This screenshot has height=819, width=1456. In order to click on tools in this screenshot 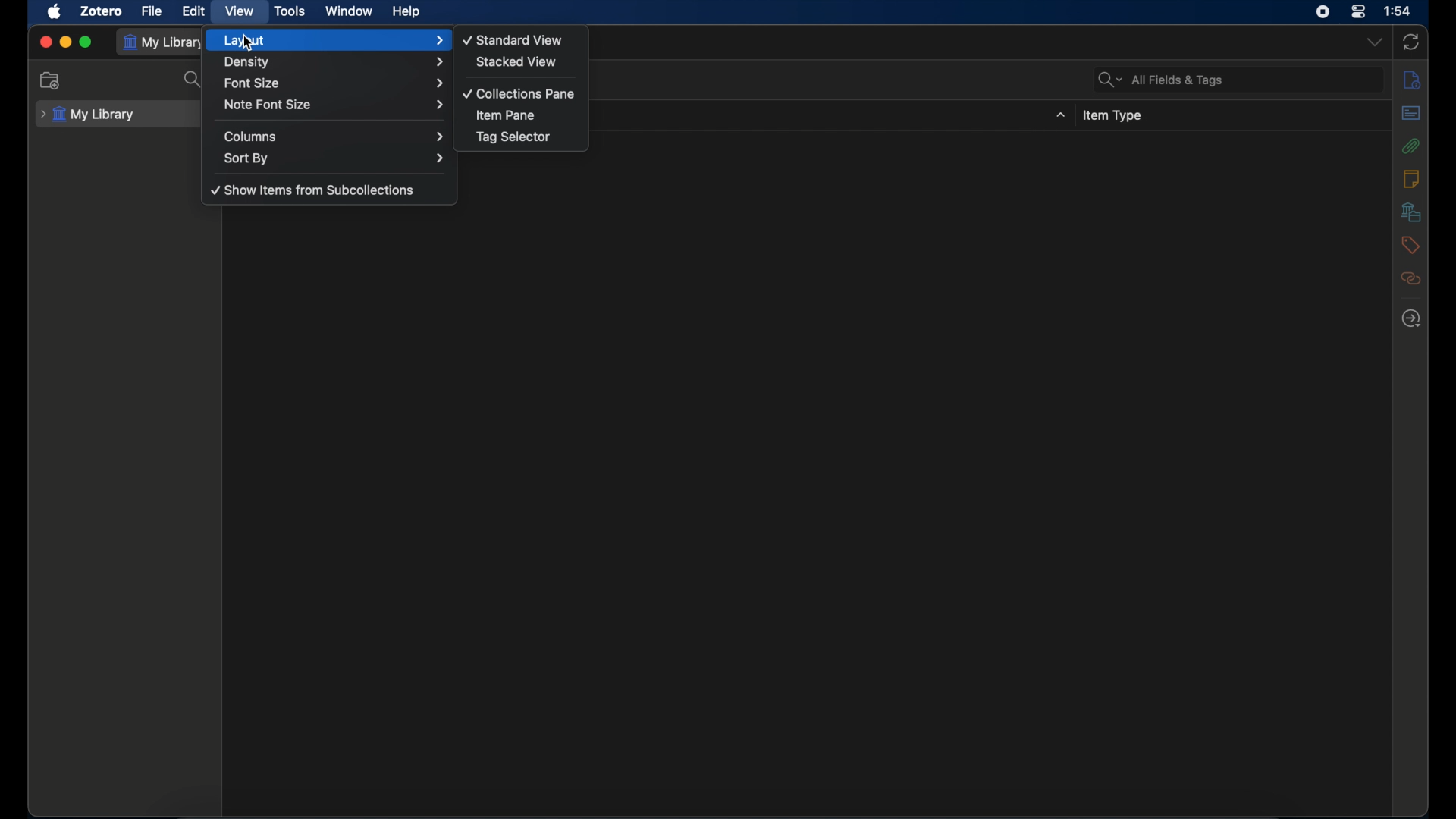, I will do `click(291, 11)`.